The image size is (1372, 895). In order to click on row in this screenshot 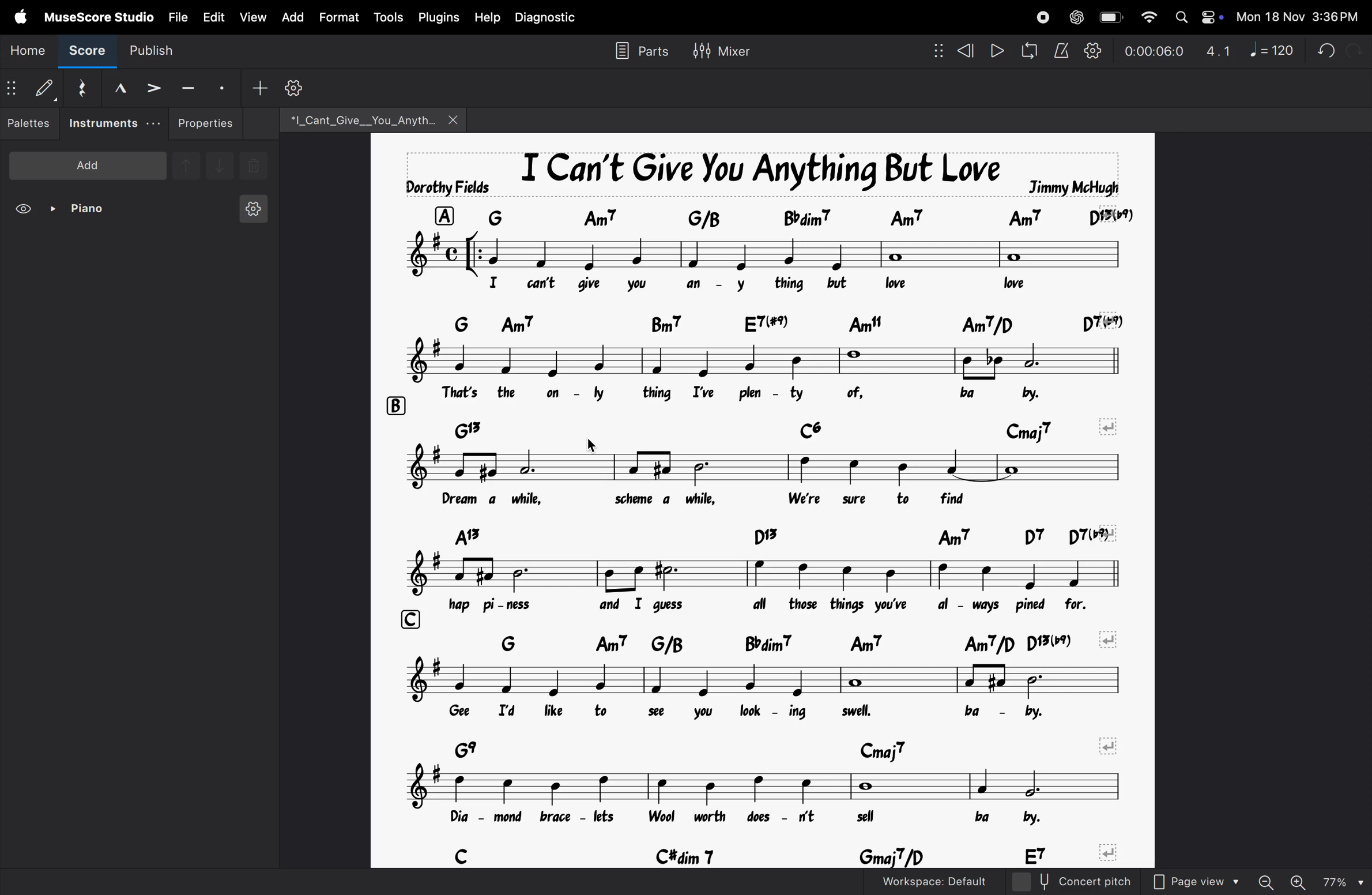, I will do `click(395, 405)`.